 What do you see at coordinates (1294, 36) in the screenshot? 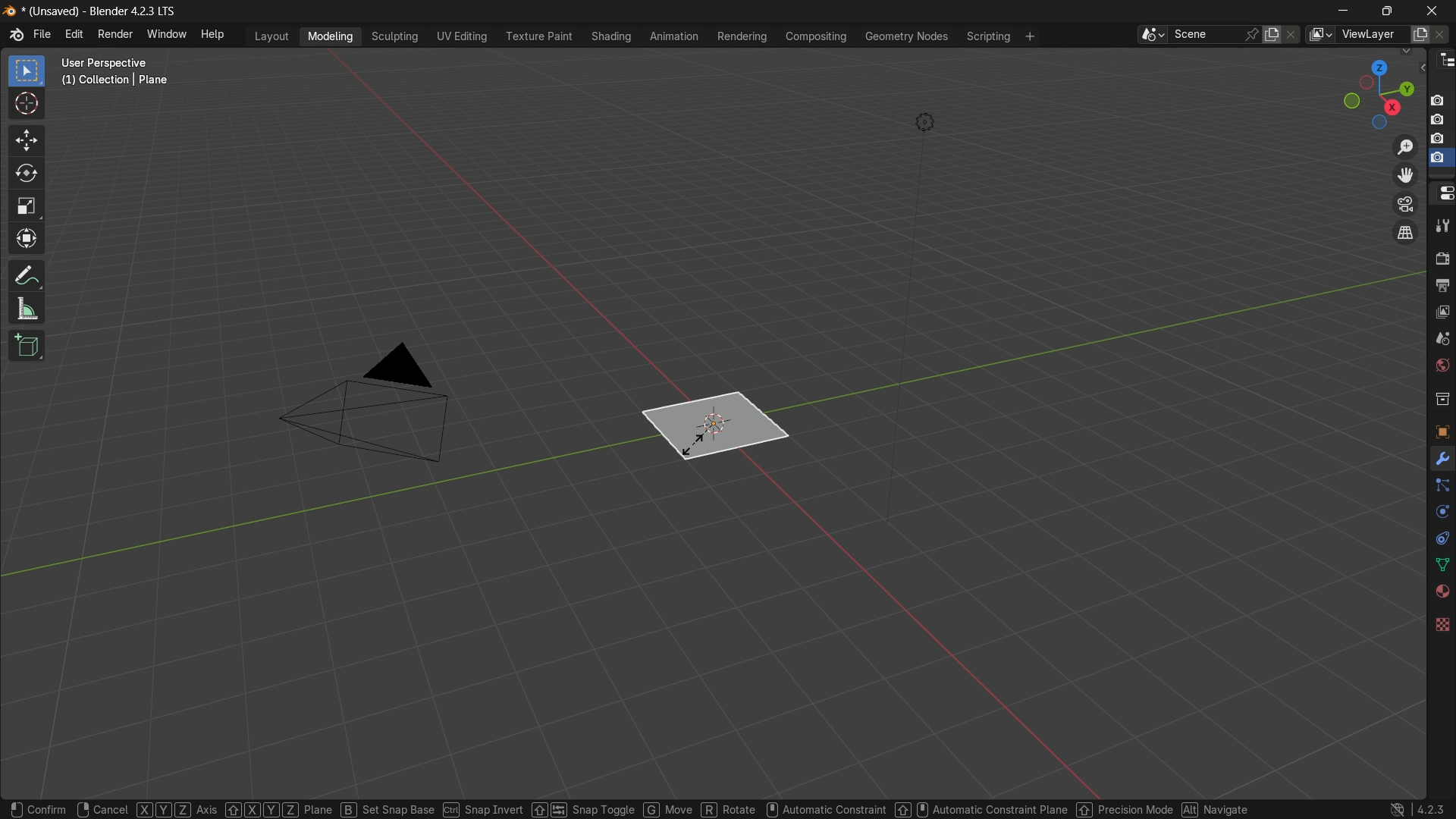
I see `delete scene` at bounding box center [1294, 36].